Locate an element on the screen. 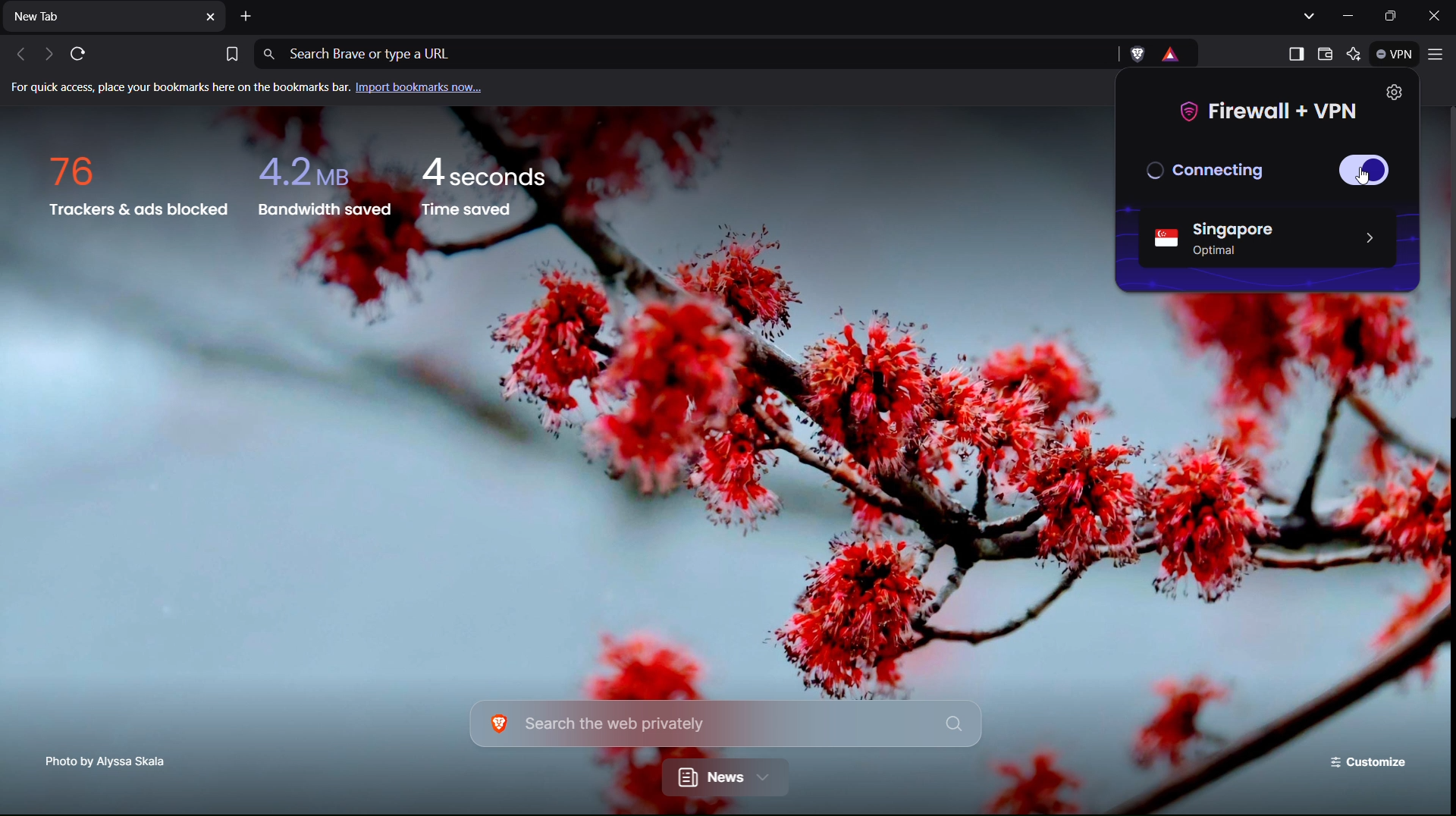 This screenshot has width=1456, height=816. Add new tab is located at coordinates (247, 17).